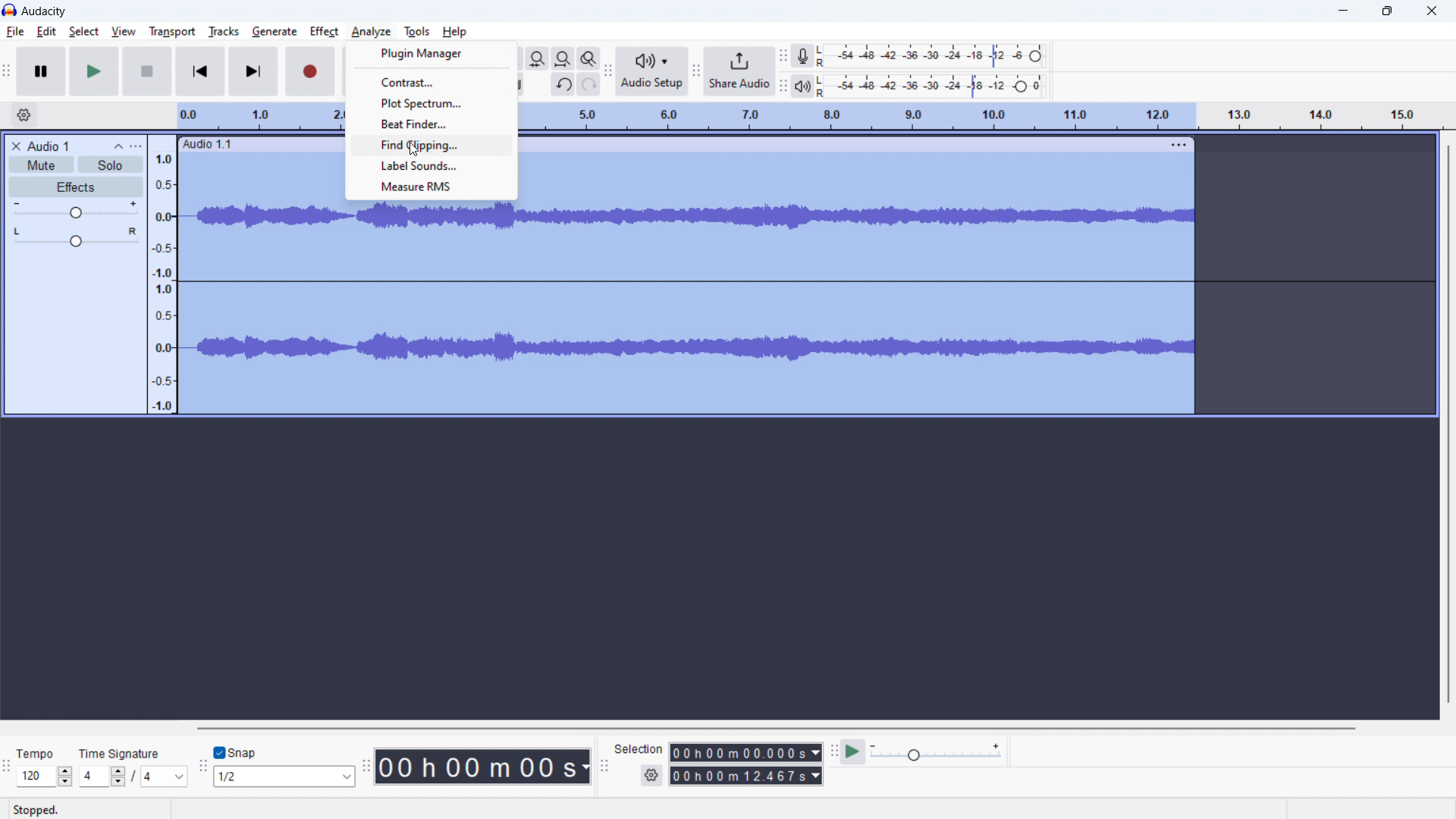 The width and height of the screenshot is (1456, 819). I want to click on find clipping, so click(435, 146).